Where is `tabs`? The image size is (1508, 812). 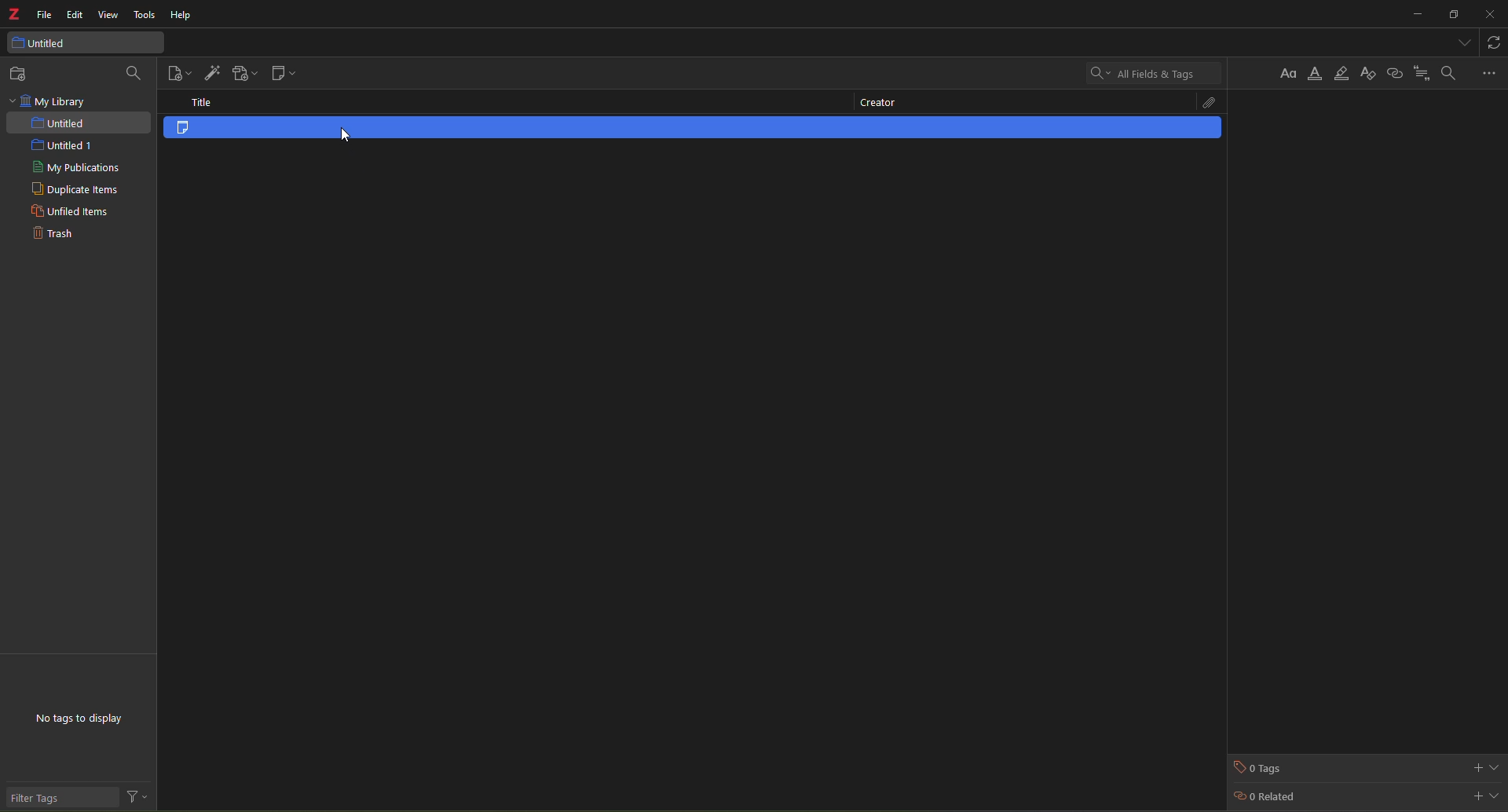
tabs is located at coordinates (1460, 41).